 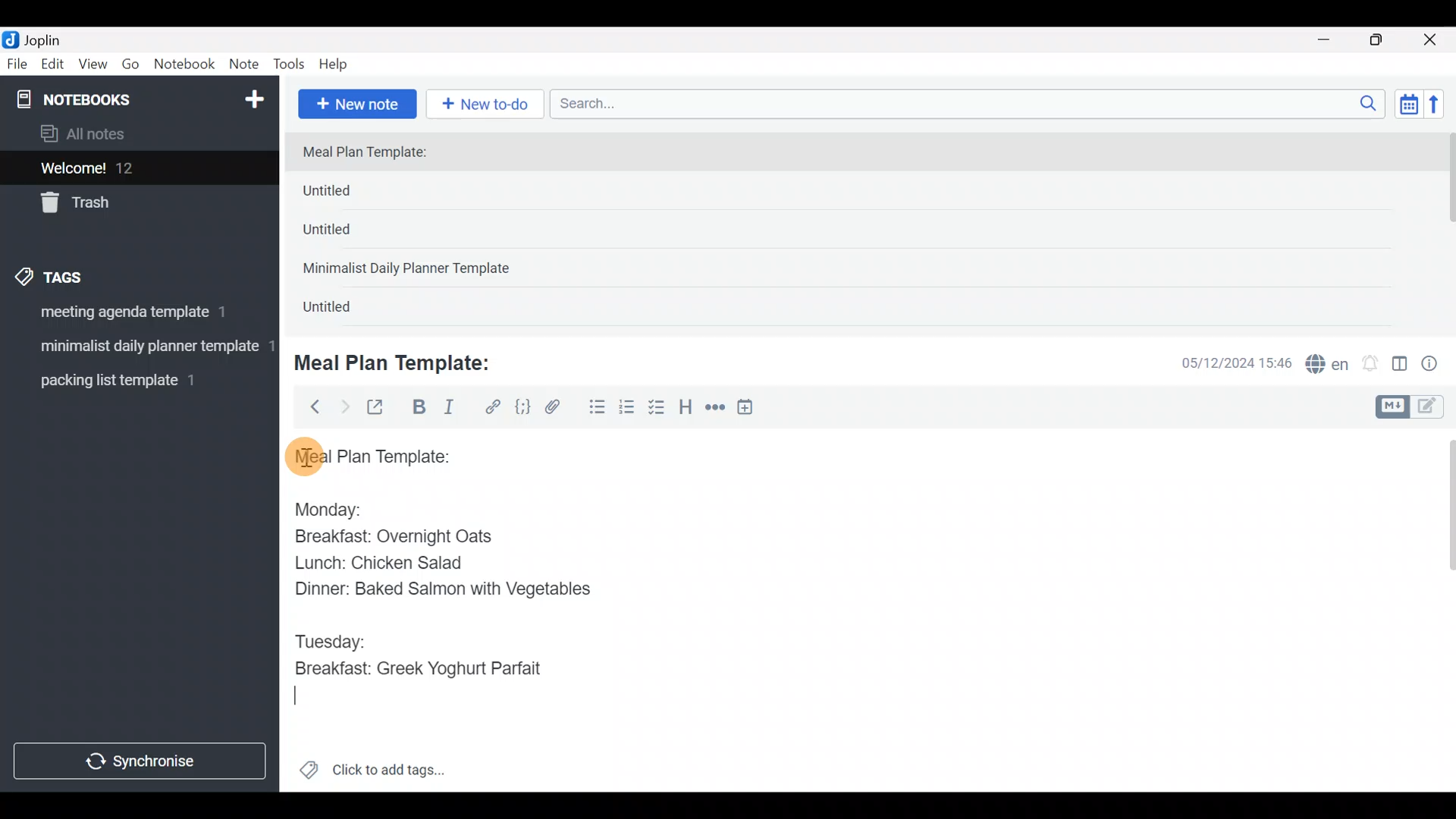 I want to click on Attach file, so click(x=557, y=409).